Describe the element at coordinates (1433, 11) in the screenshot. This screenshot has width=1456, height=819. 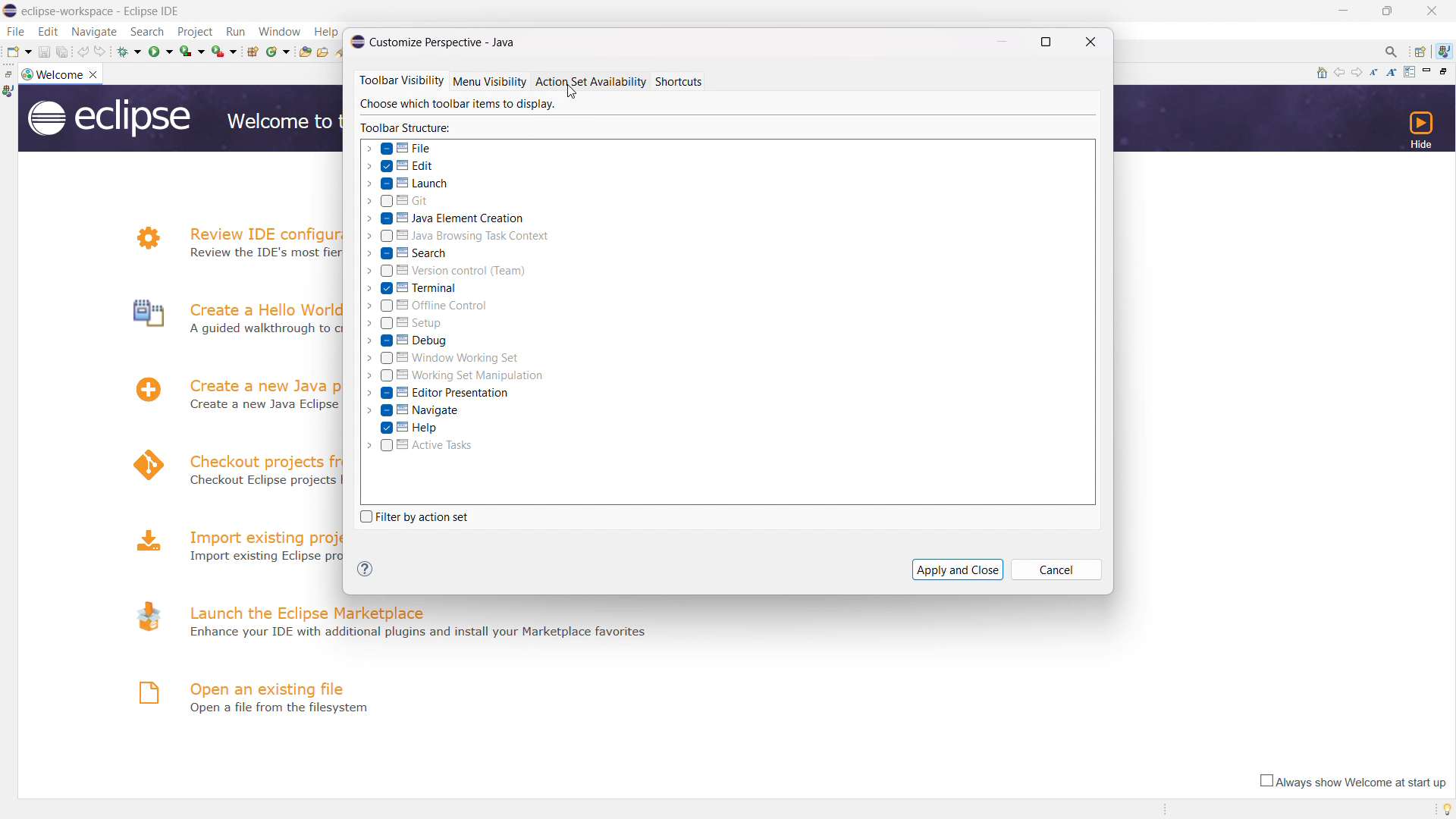
I see `close` at that location.